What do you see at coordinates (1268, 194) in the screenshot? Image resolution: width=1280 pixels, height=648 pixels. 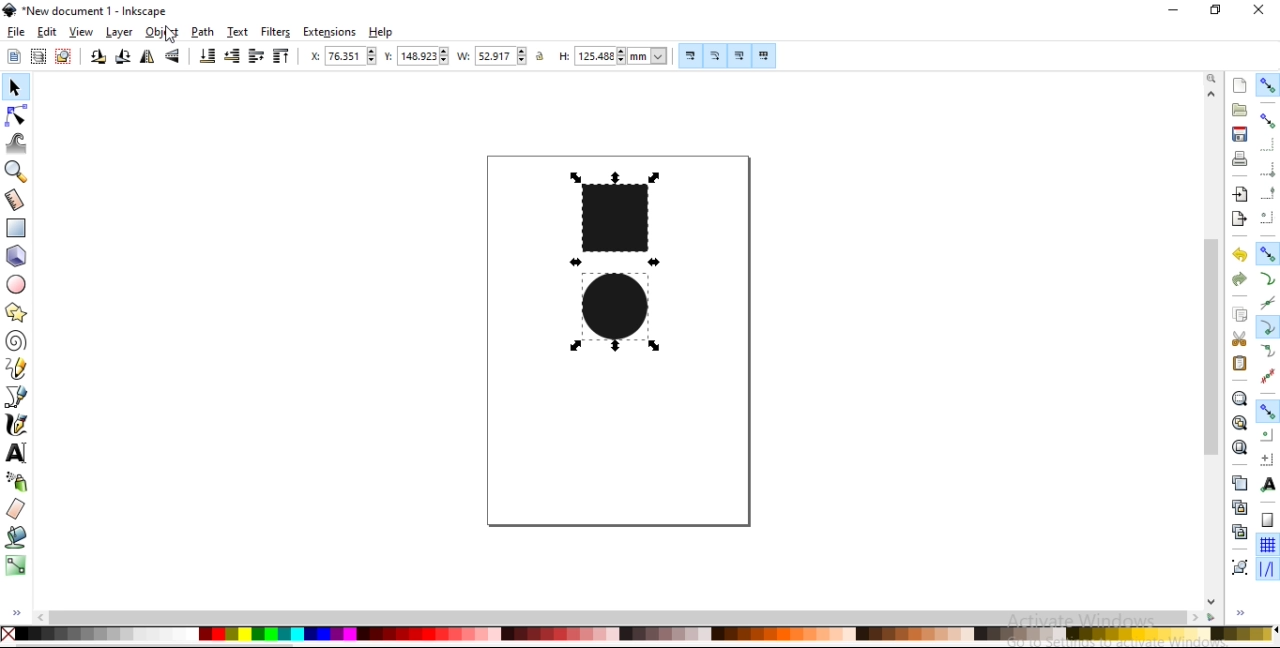 I see `snap midpoints of bounding box edges` at bounding box center [1268, 194].